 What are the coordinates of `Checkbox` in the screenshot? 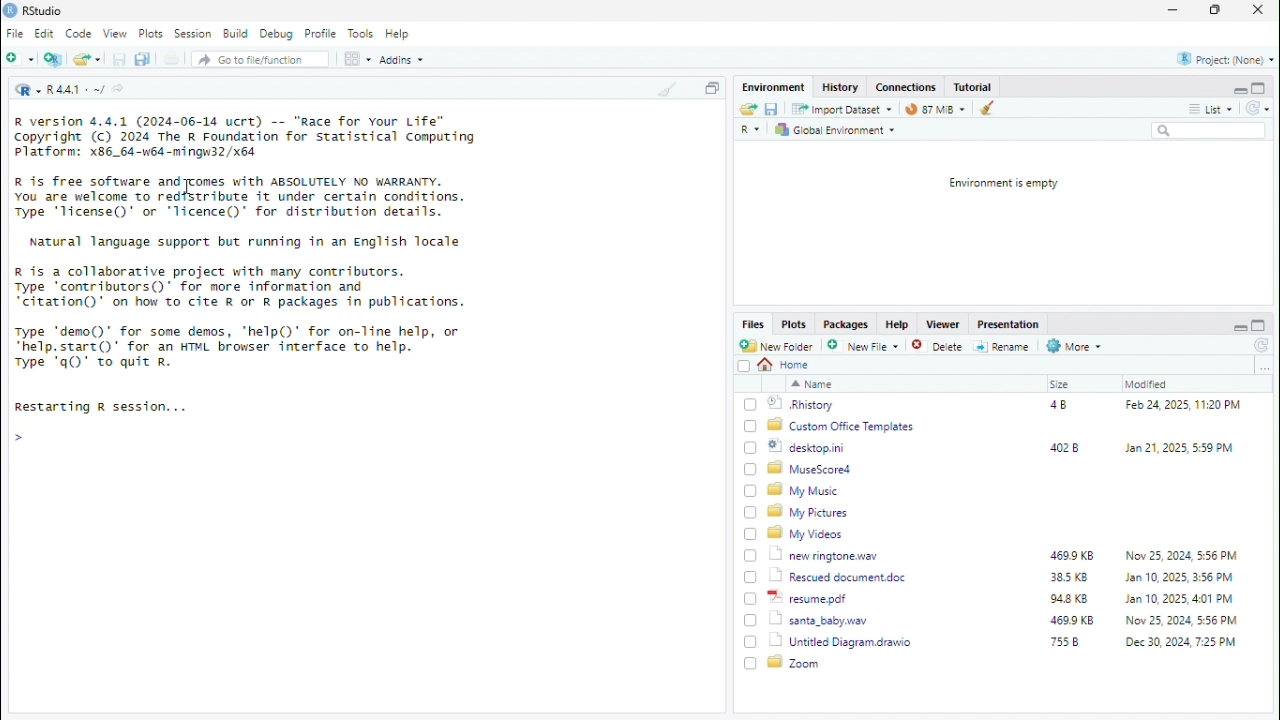 It's located at (750, 620).